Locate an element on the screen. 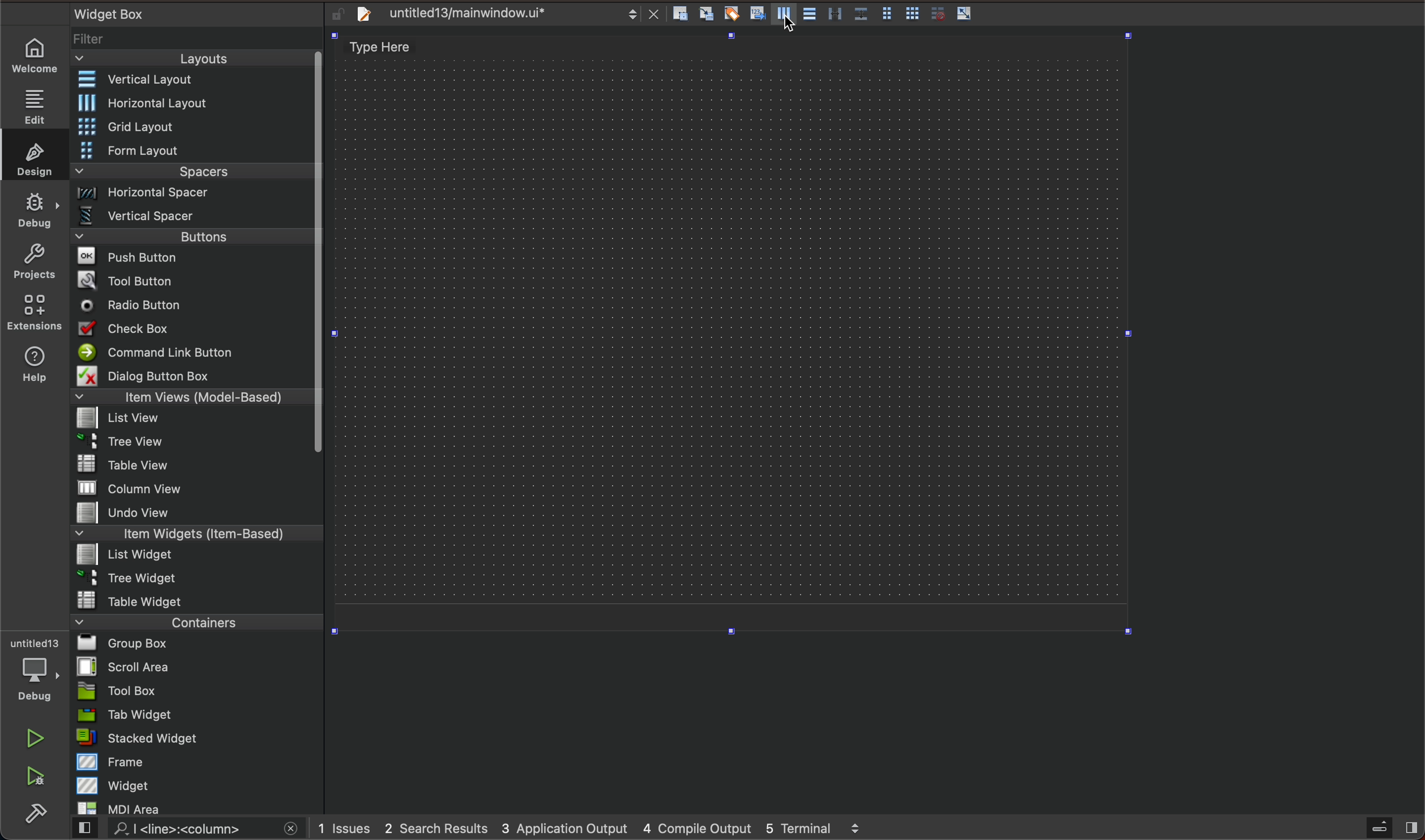  scroll area is located at coordinates (195, 666).